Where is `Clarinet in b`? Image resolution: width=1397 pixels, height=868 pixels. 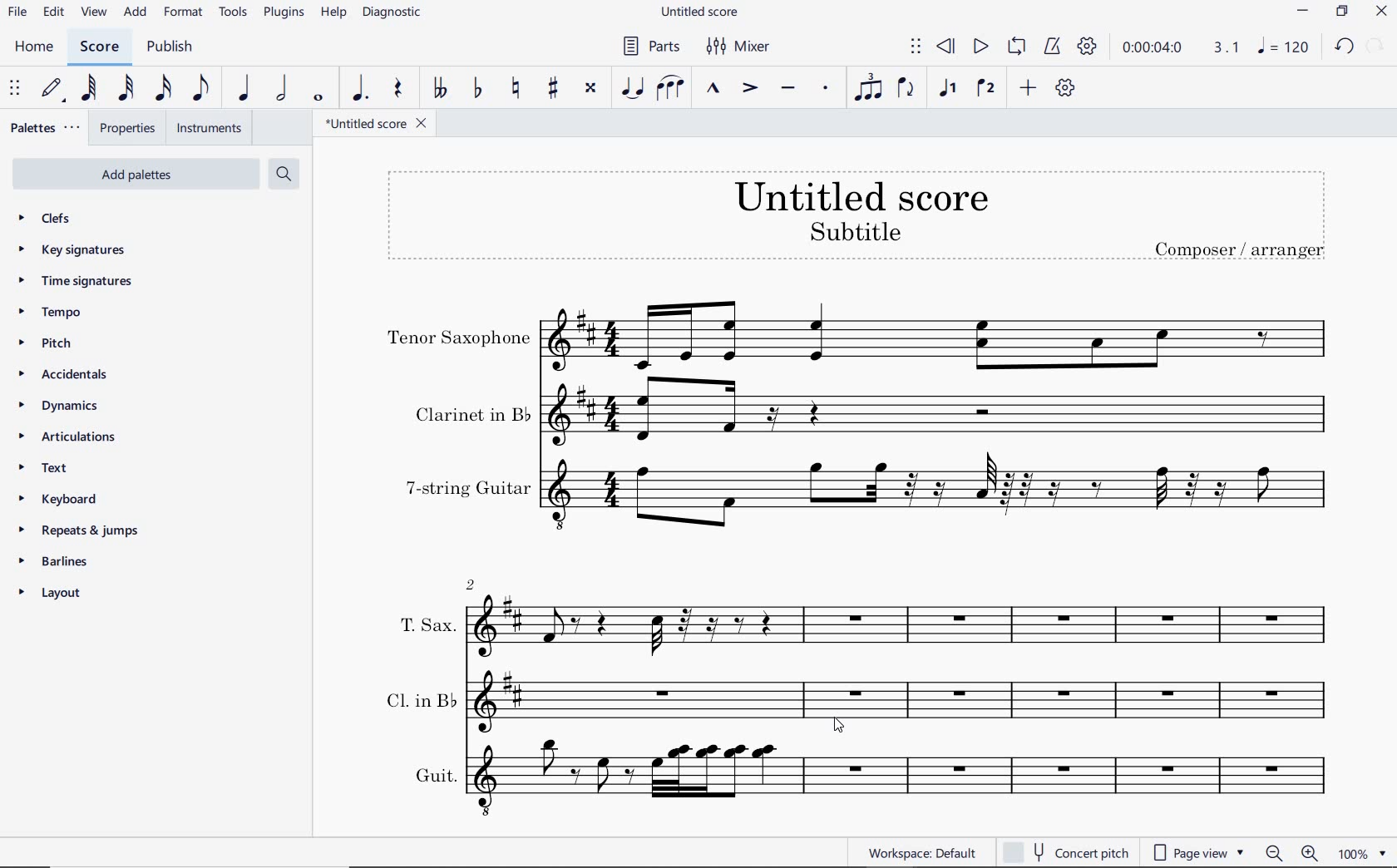 Clarinet in b is located at coordinates (860, 416).